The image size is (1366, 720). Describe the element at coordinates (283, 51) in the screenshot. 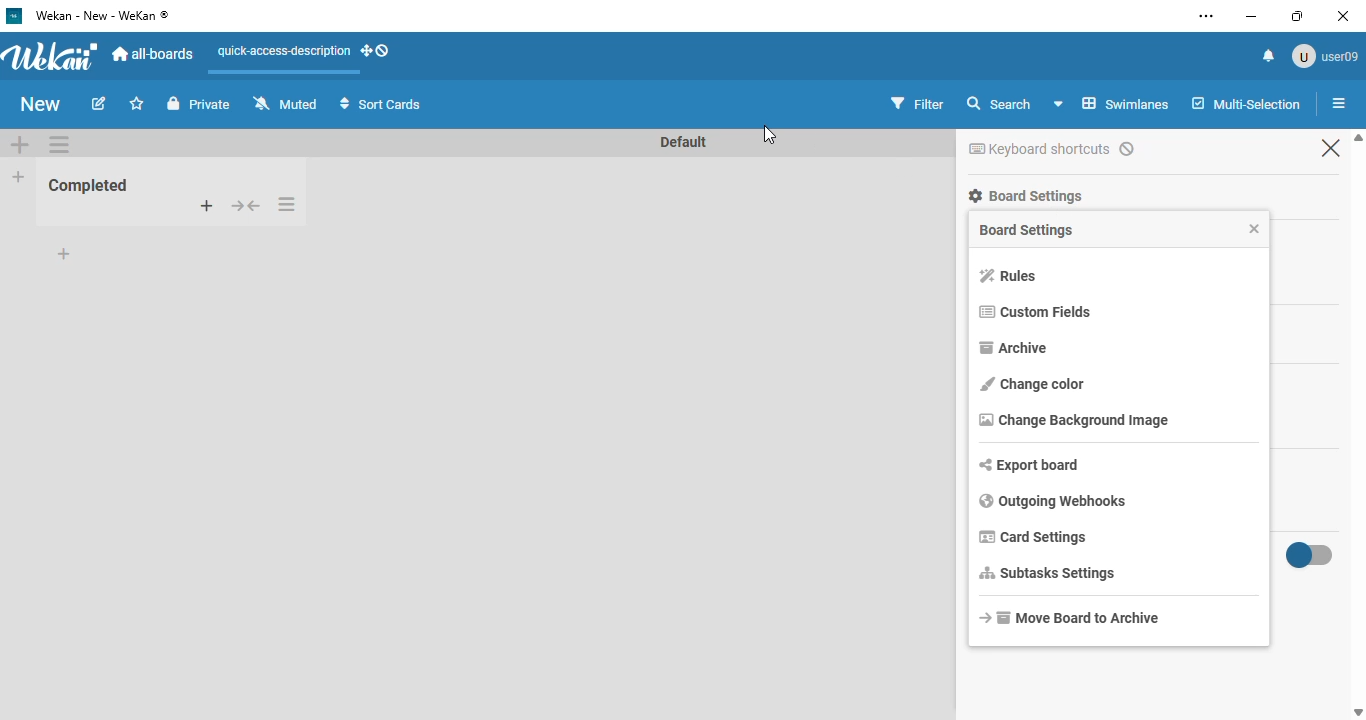

I see `quick-access-description` at that location.